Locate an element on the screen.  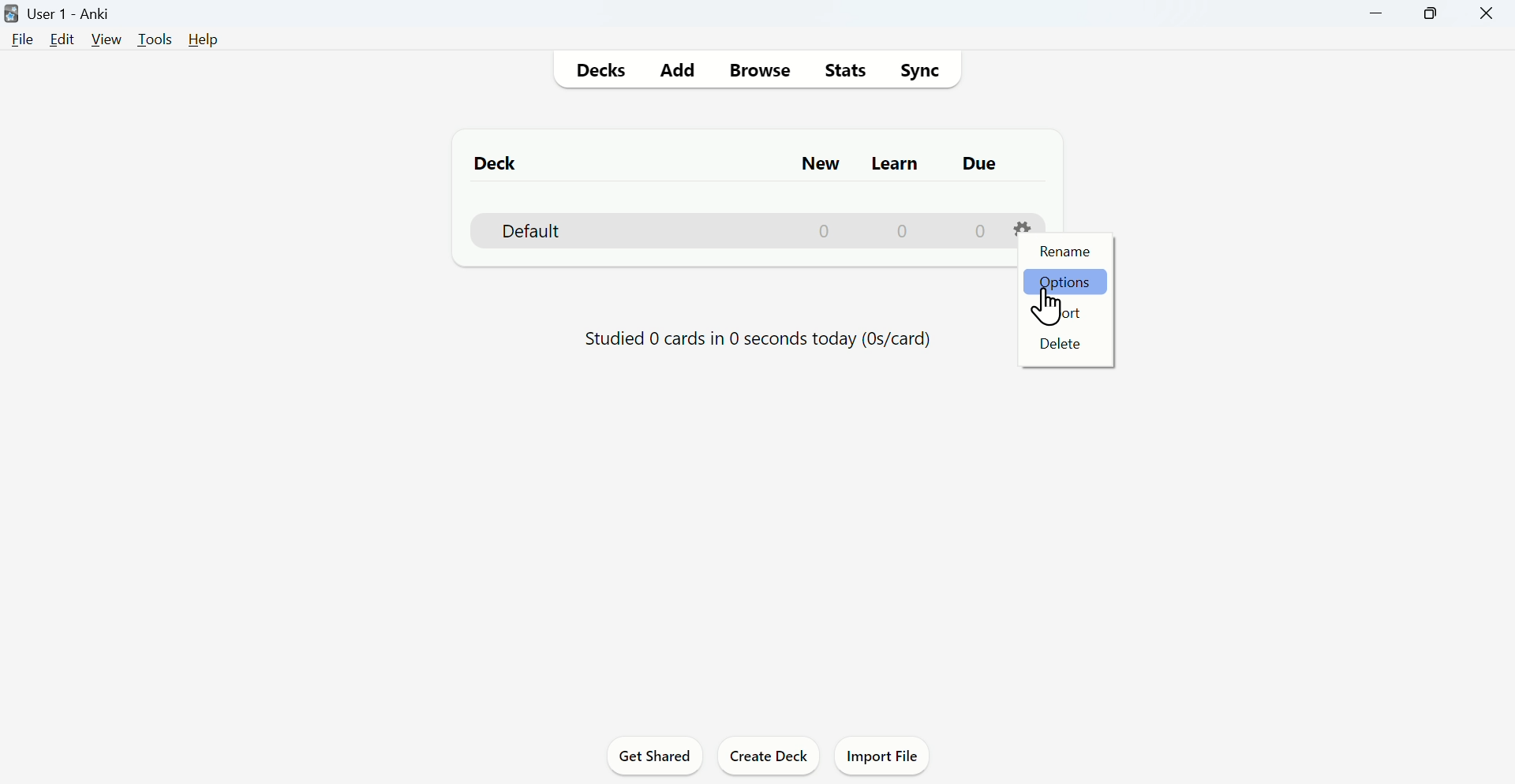
Settings is located at coordinates (1024, 228).